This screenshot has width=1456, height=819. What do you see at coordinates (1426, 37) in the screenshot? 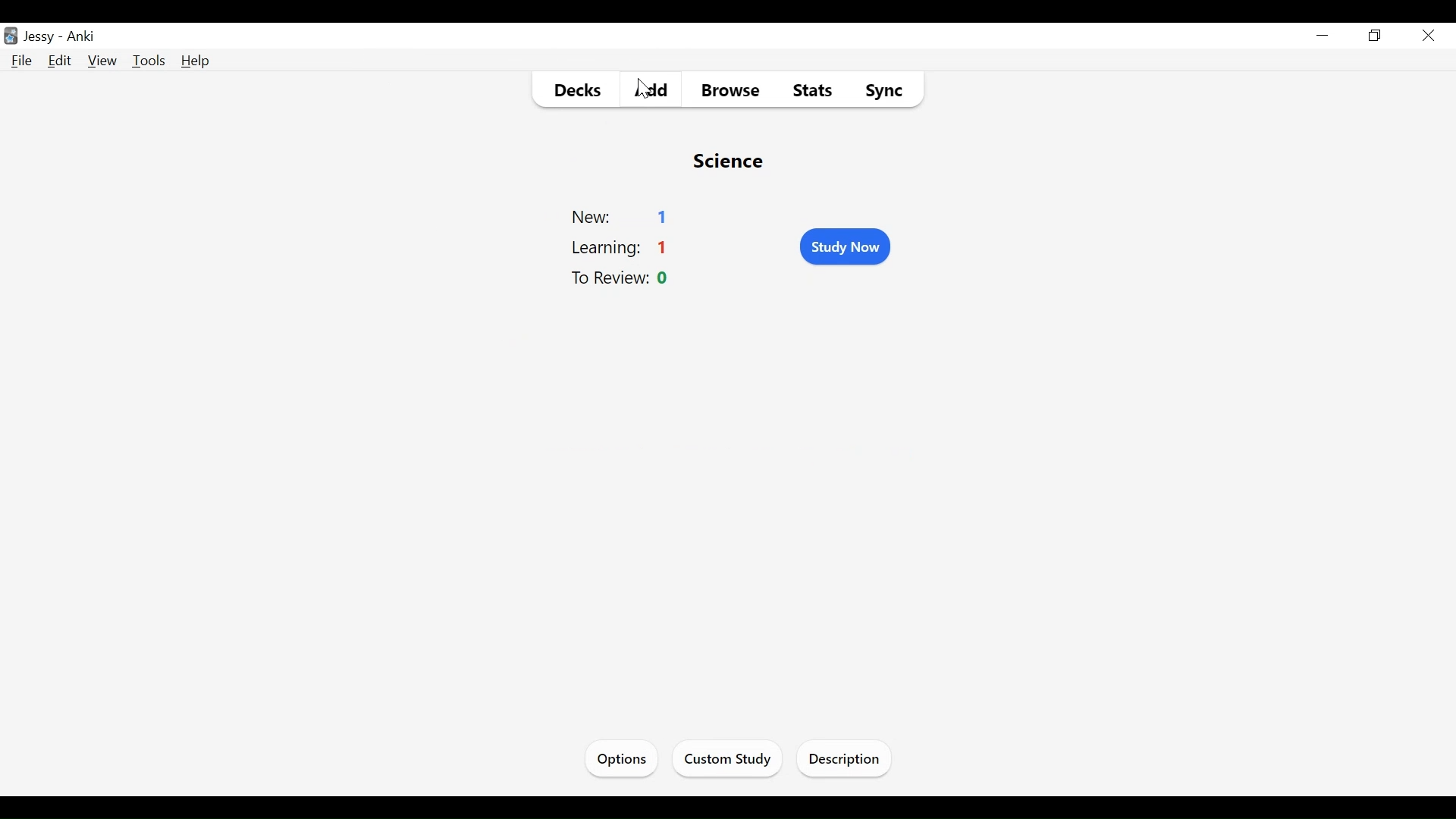
I see `Close` at bounding box center [1426, 37].